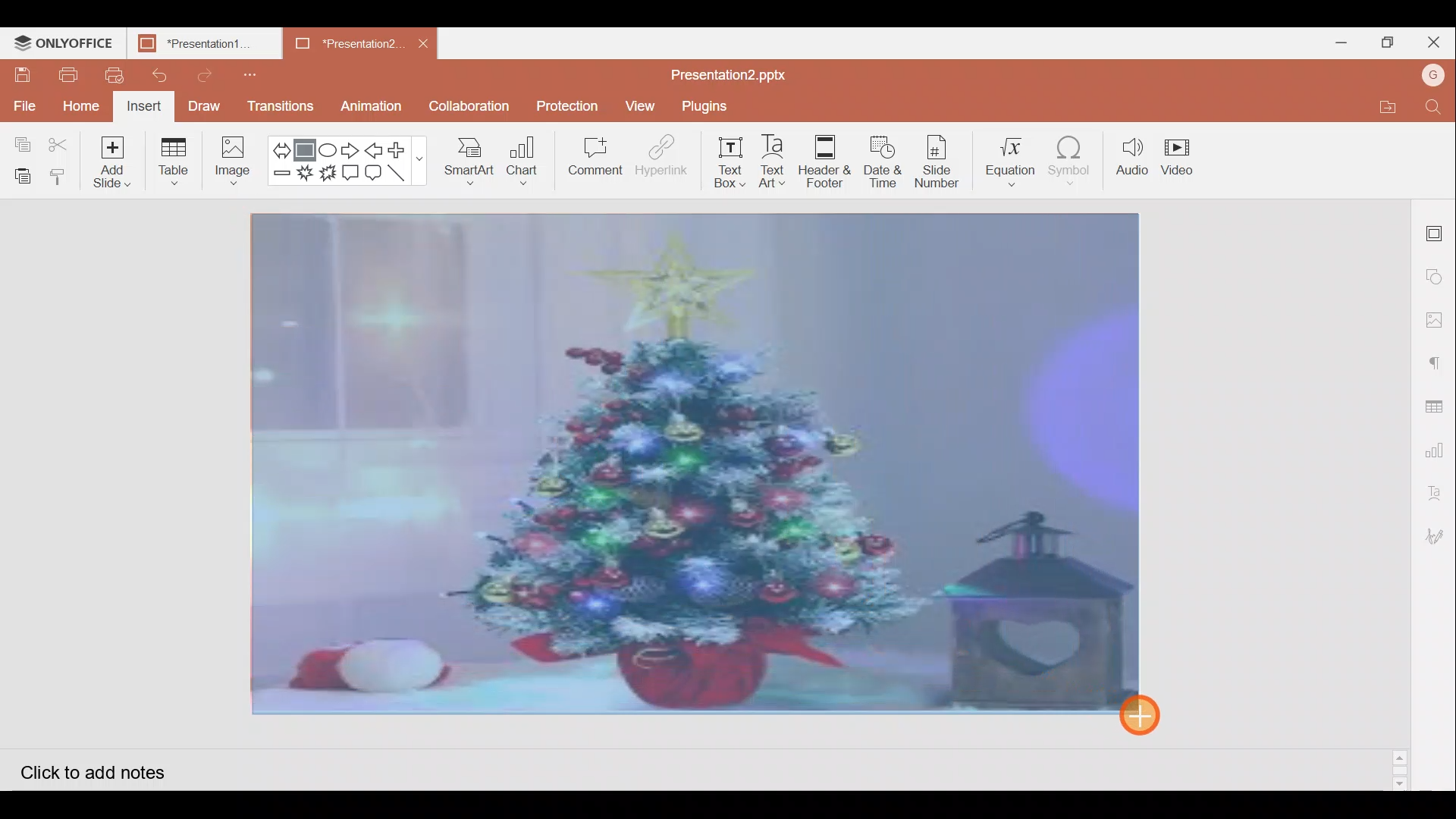  Describe the element at coordinates (1441, 357) in the screenshot. I see `Paragraph settings` at that location.